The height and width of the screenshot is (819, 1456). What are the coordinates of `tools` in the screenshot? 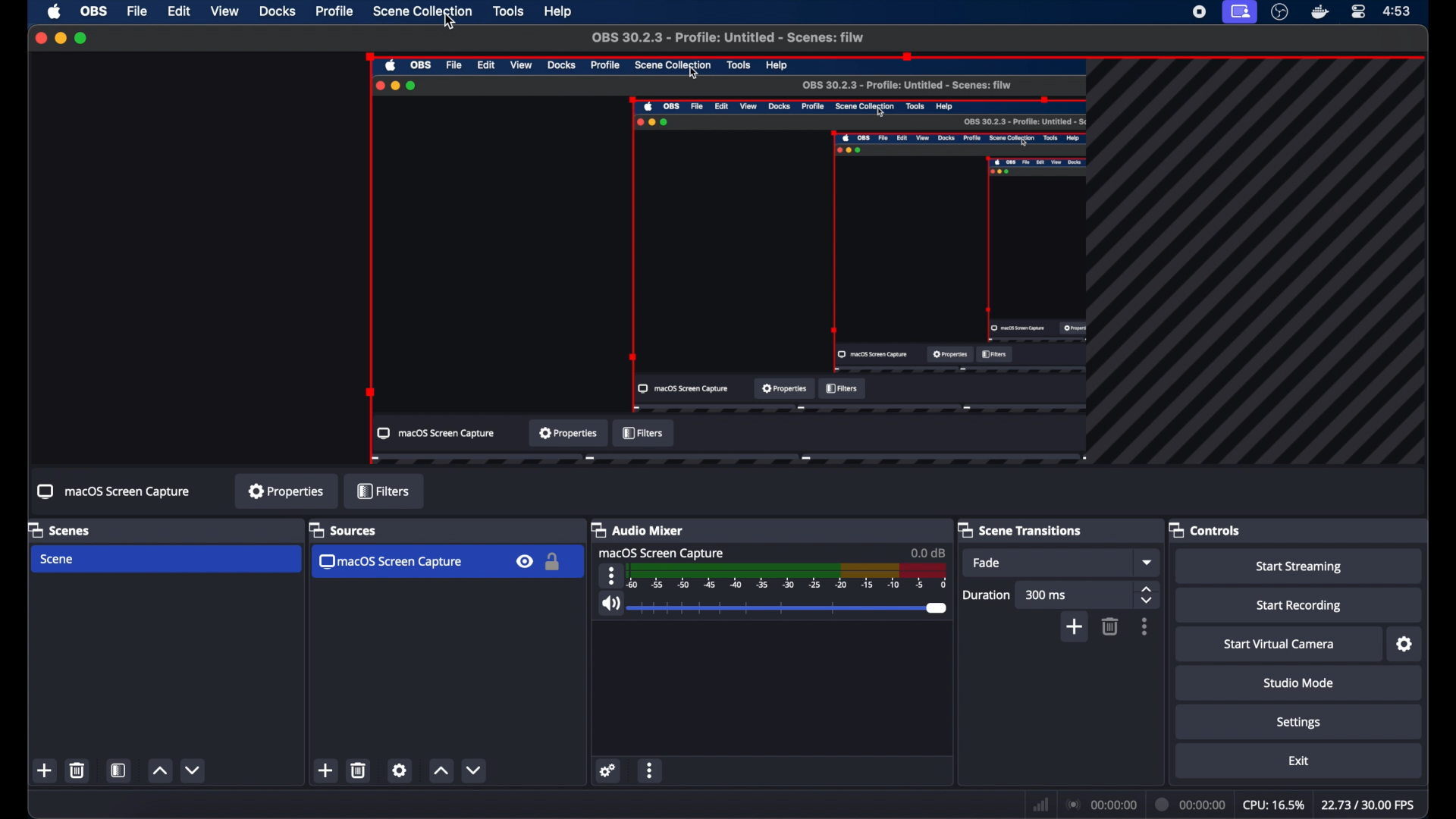 It's located at (508, 11).